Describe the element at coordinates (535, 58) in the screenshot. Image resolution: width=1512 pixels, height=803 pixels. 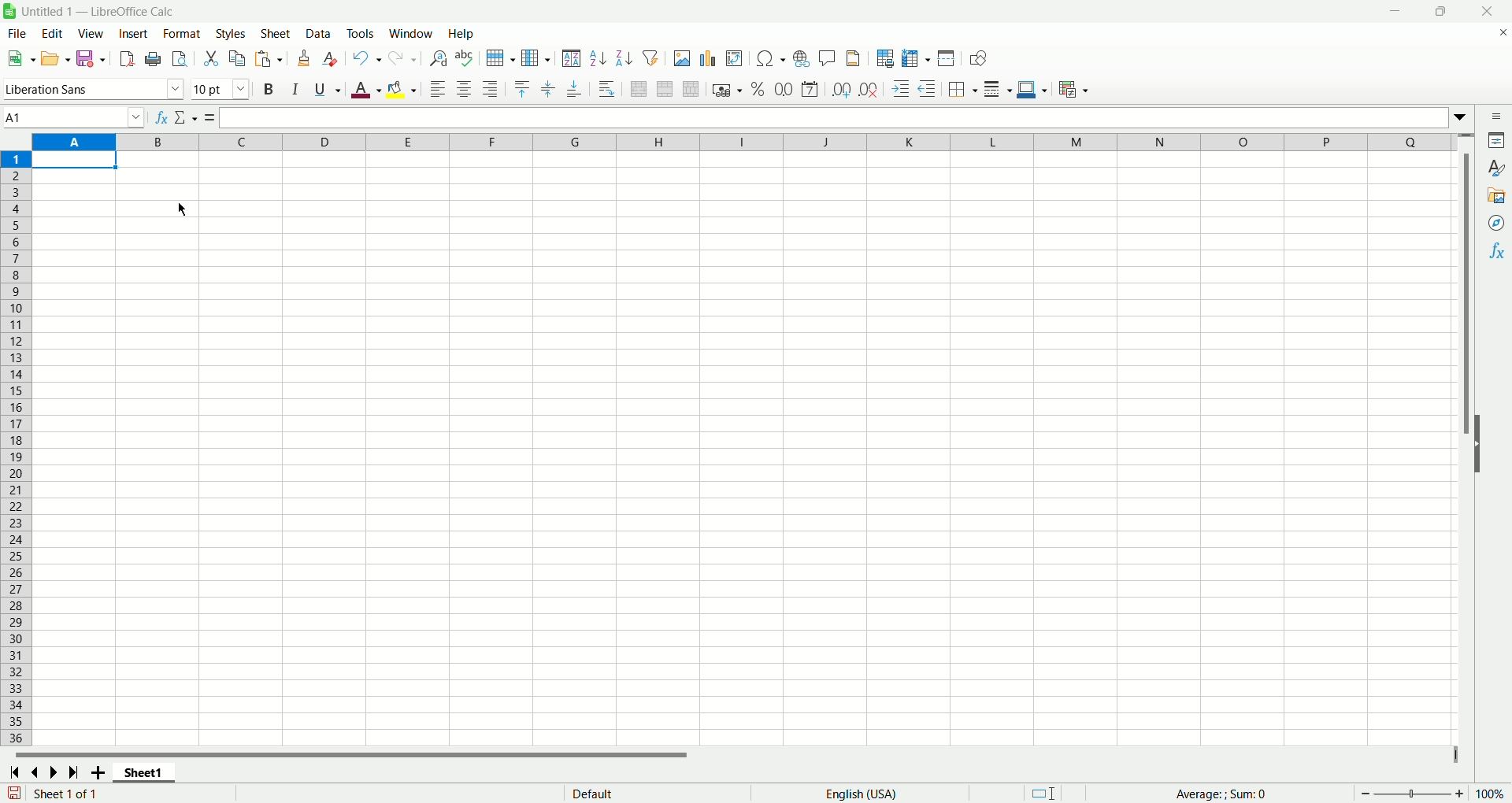
I see `column` at that location.